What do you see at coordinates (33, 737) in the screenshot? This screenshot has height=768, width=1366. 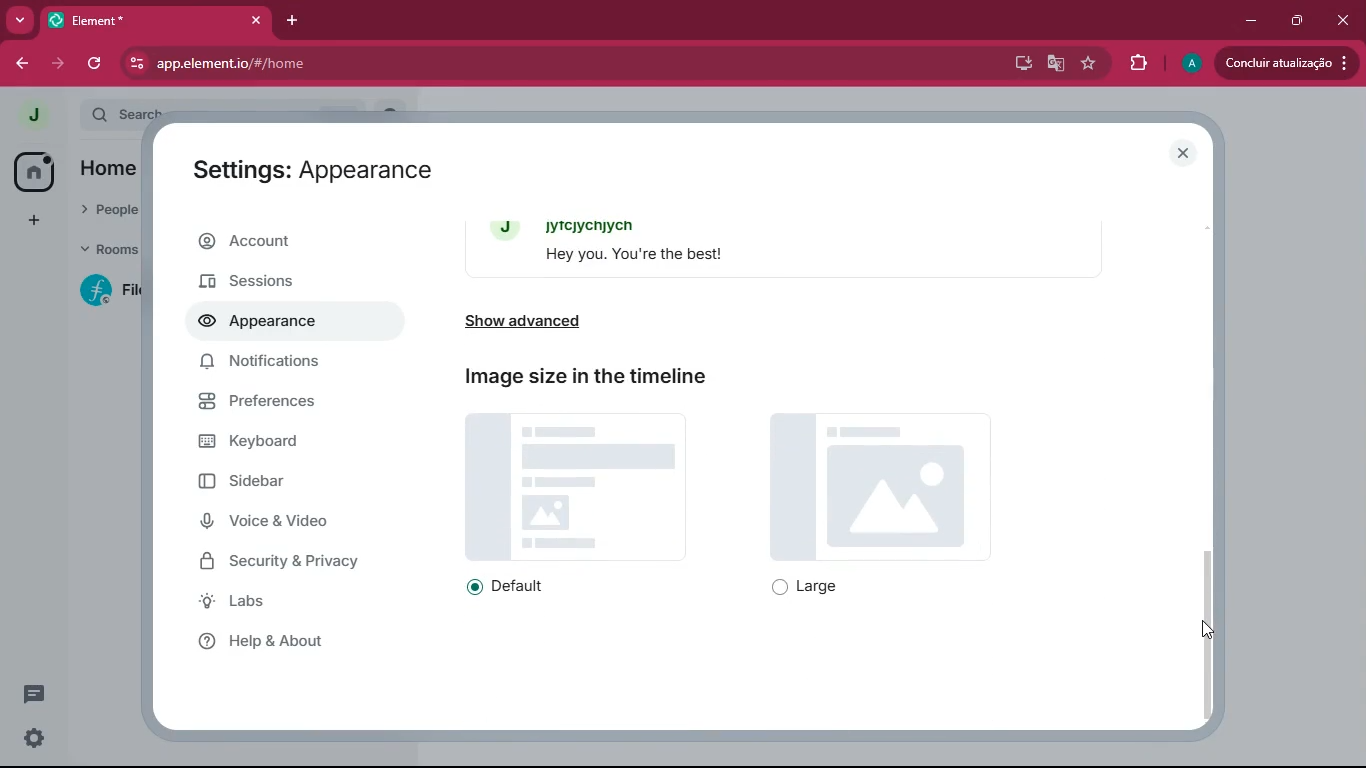 I see `settings` at bounding box center [33, 737].